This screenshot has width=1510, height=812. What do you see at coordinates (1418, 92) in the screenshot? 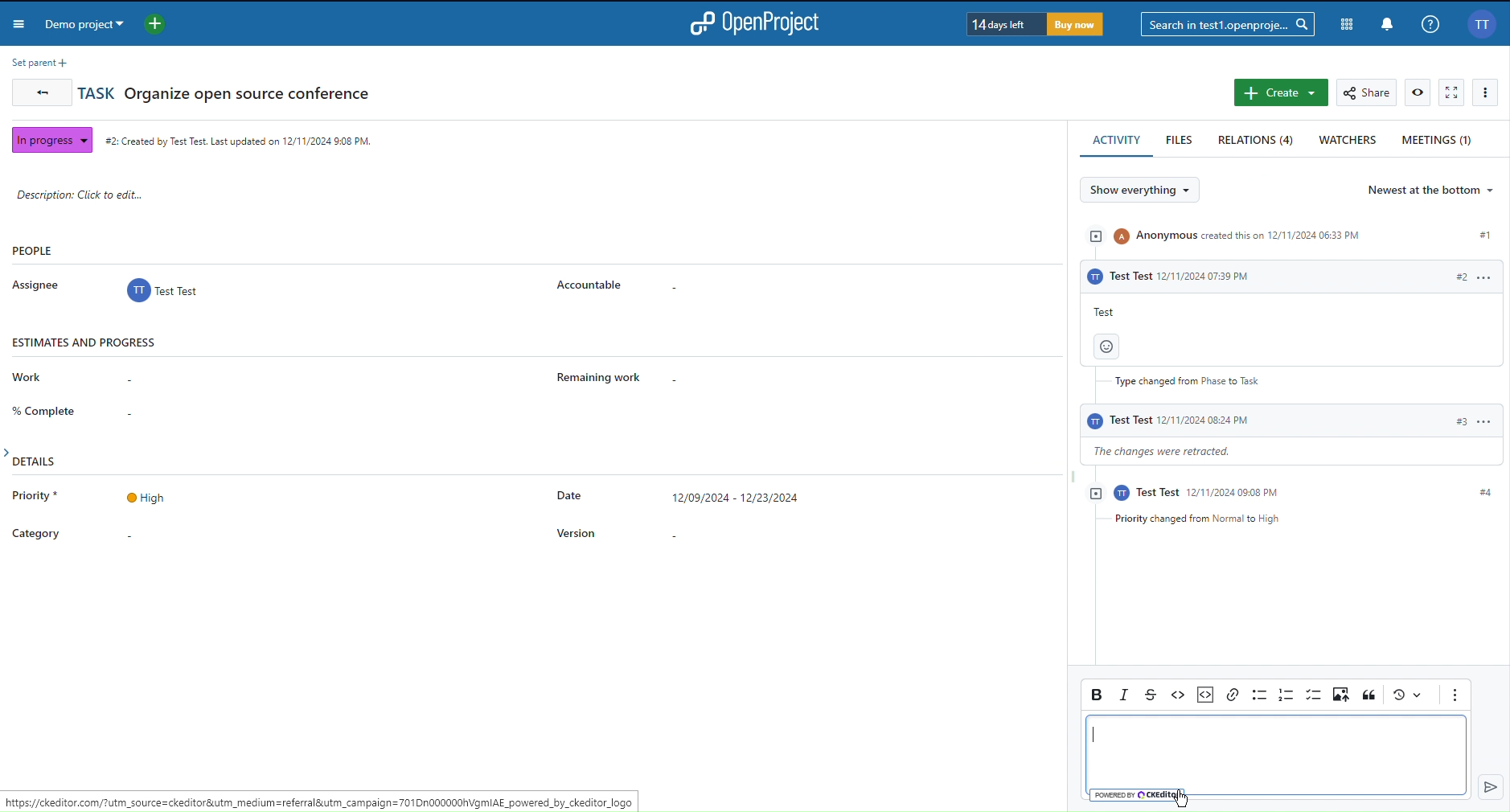
I see `View` at bounding box center [1418, 92].